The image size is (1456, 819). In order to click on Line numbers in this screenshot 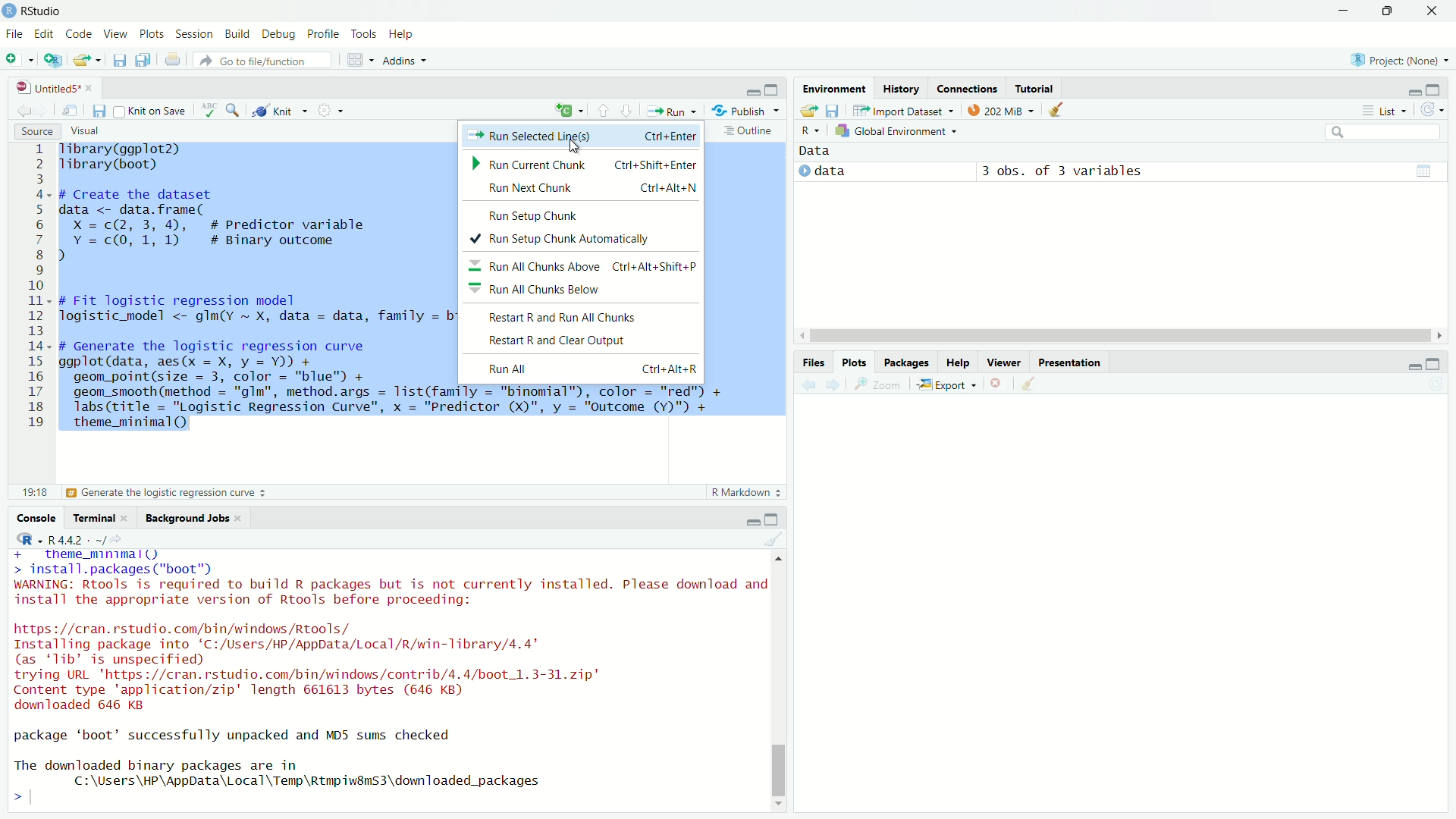, I will do `click(32, 290)`.